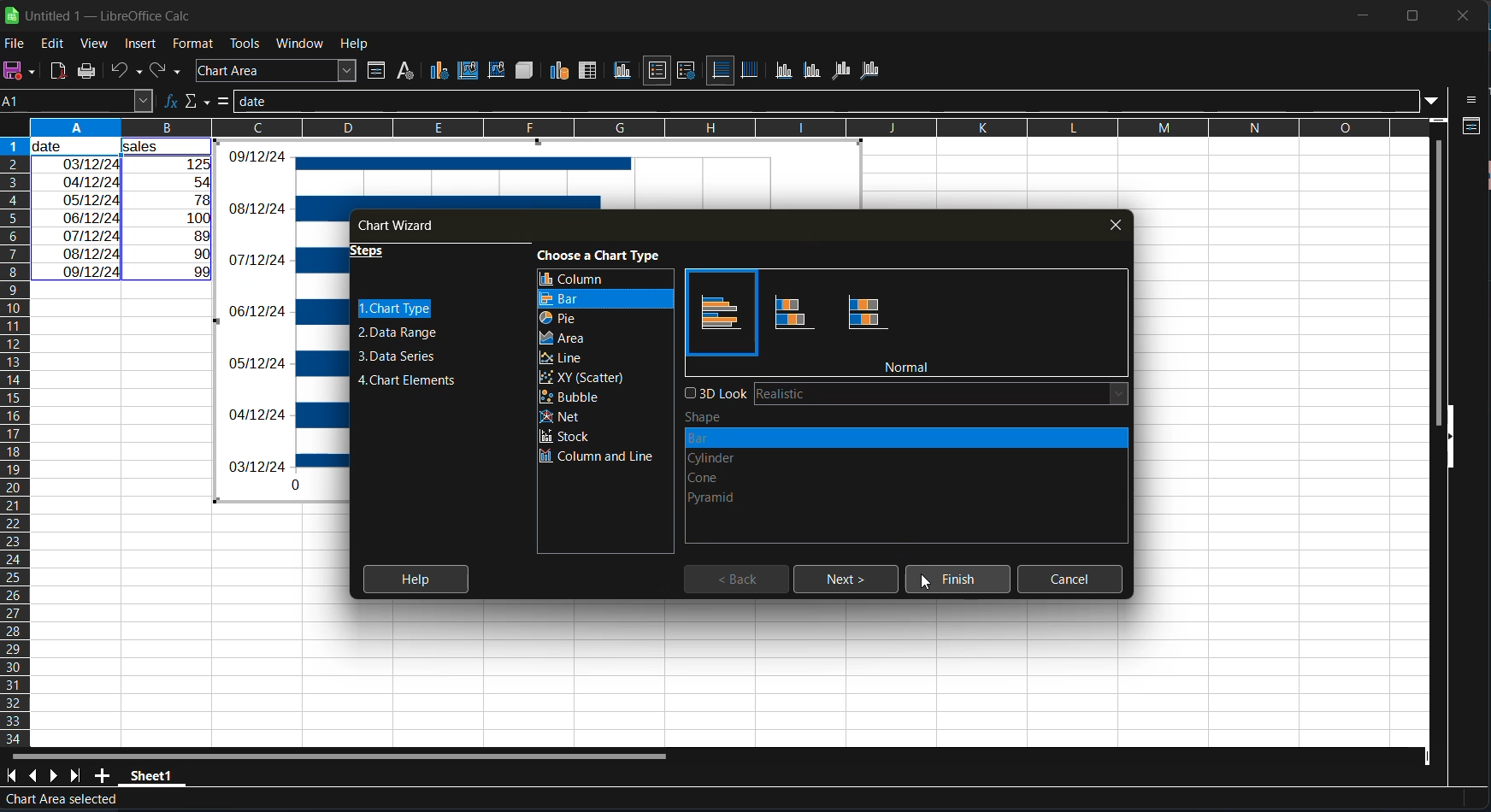  What do you see at coordinates (1437, 271) in the screenshot?
I see `vertical scroll bar` at bounding box center [1437, 271].